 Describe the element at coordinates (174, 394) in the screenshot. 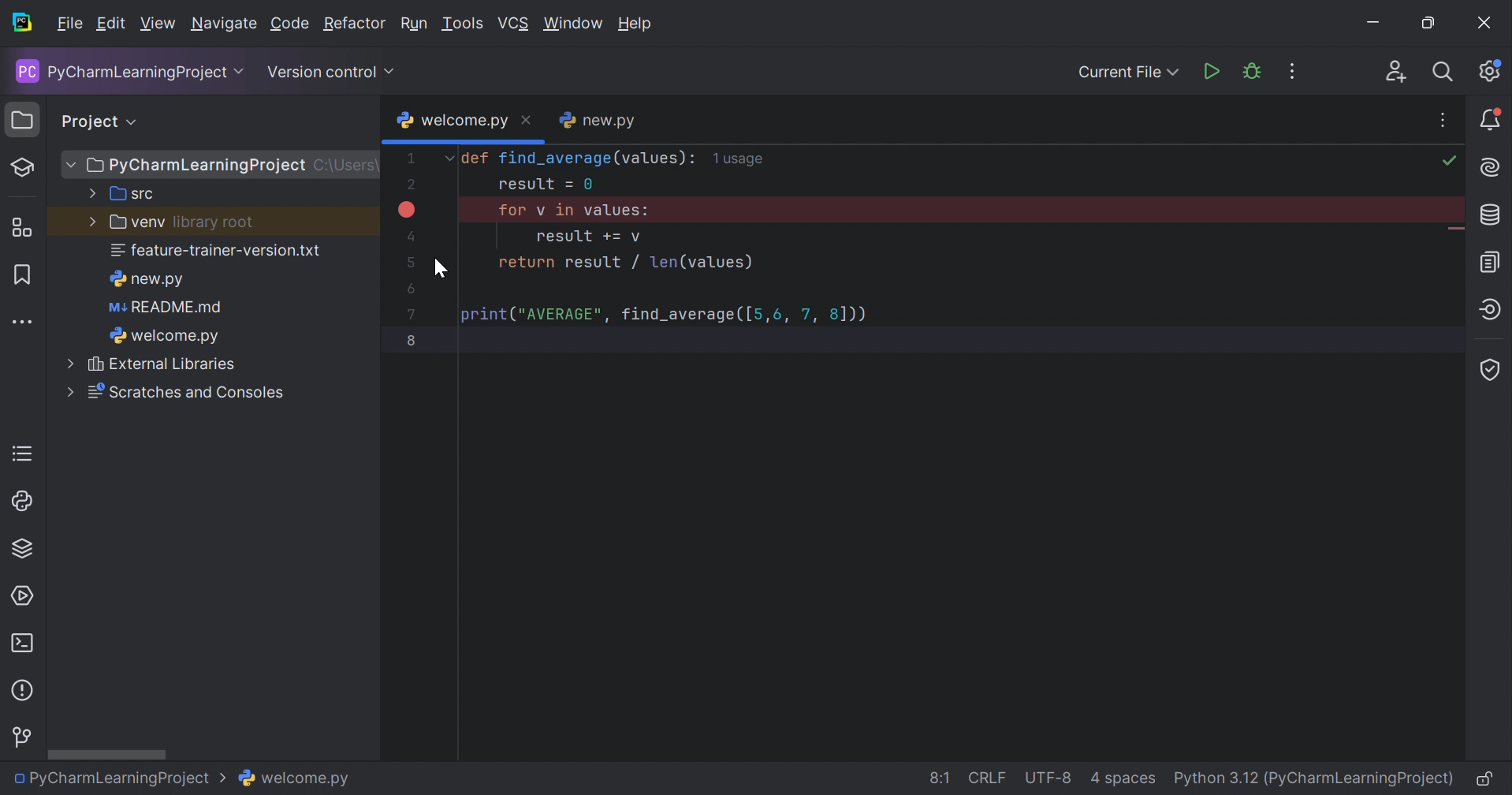

I see `Scratches and Consoles` at that location.